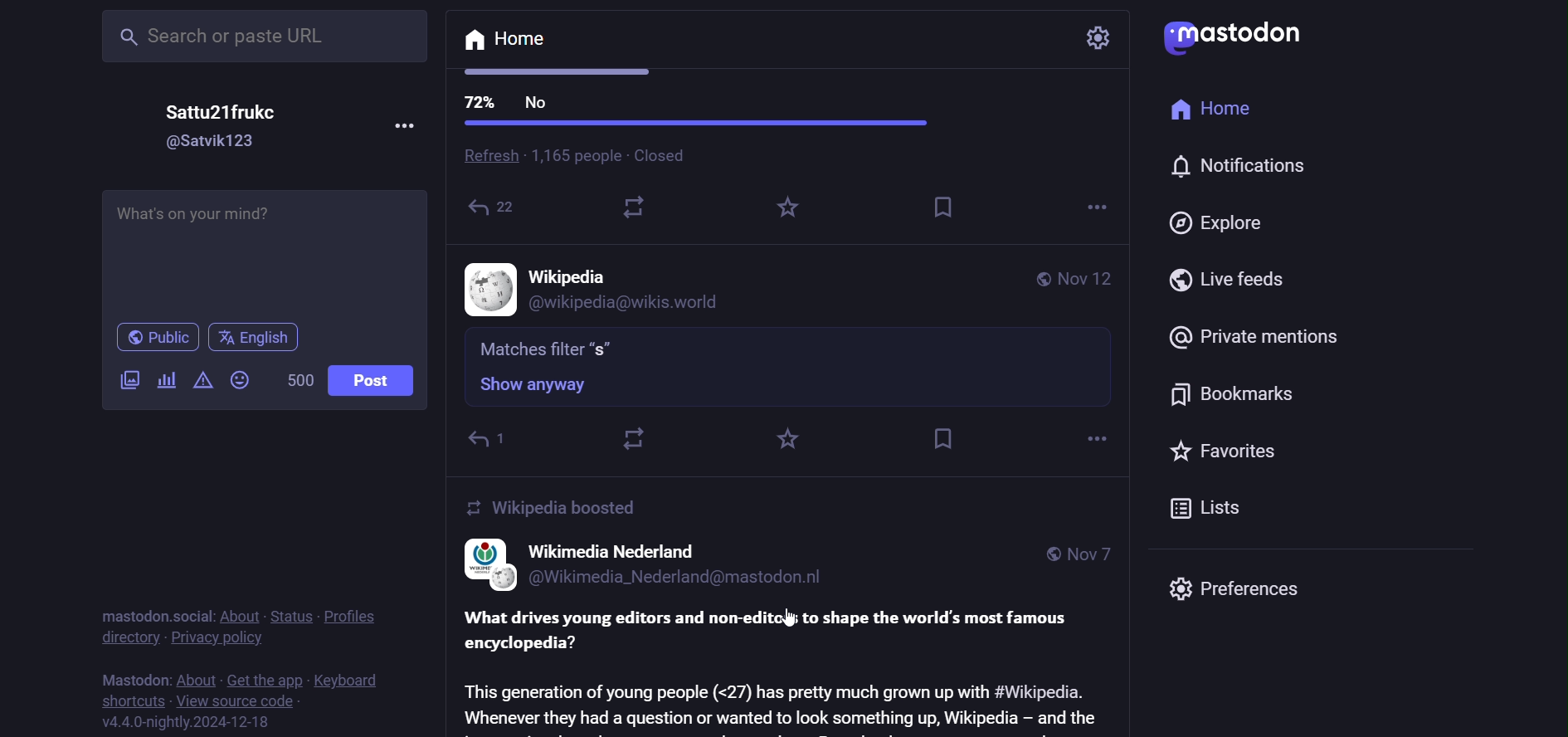  I want to click on notification, so click(1246, 169).